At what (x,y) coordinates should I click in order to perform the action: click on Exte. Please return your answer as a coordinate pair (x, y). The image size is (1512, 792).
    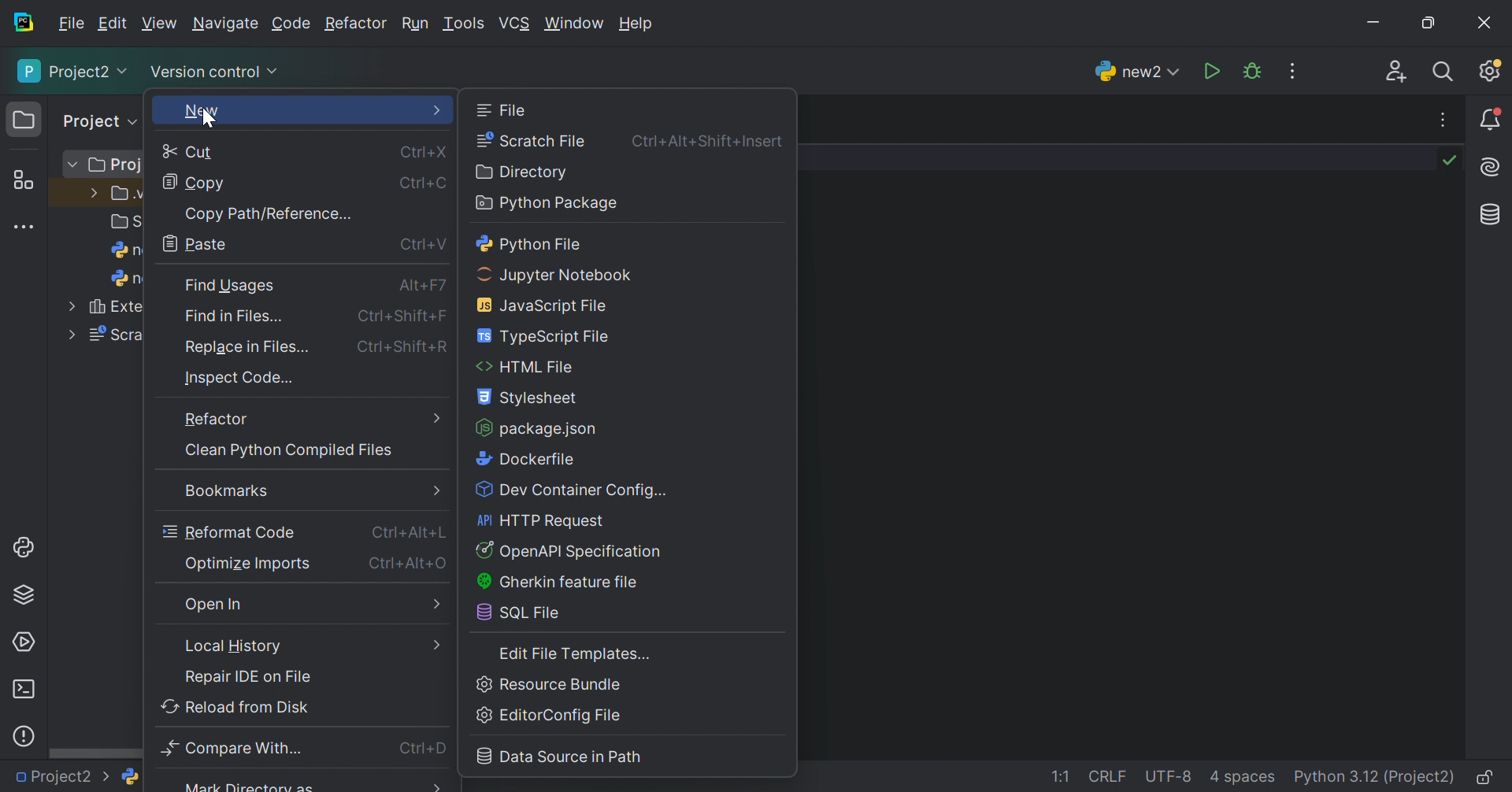
    Looking at the image, I should click on (113, 305).